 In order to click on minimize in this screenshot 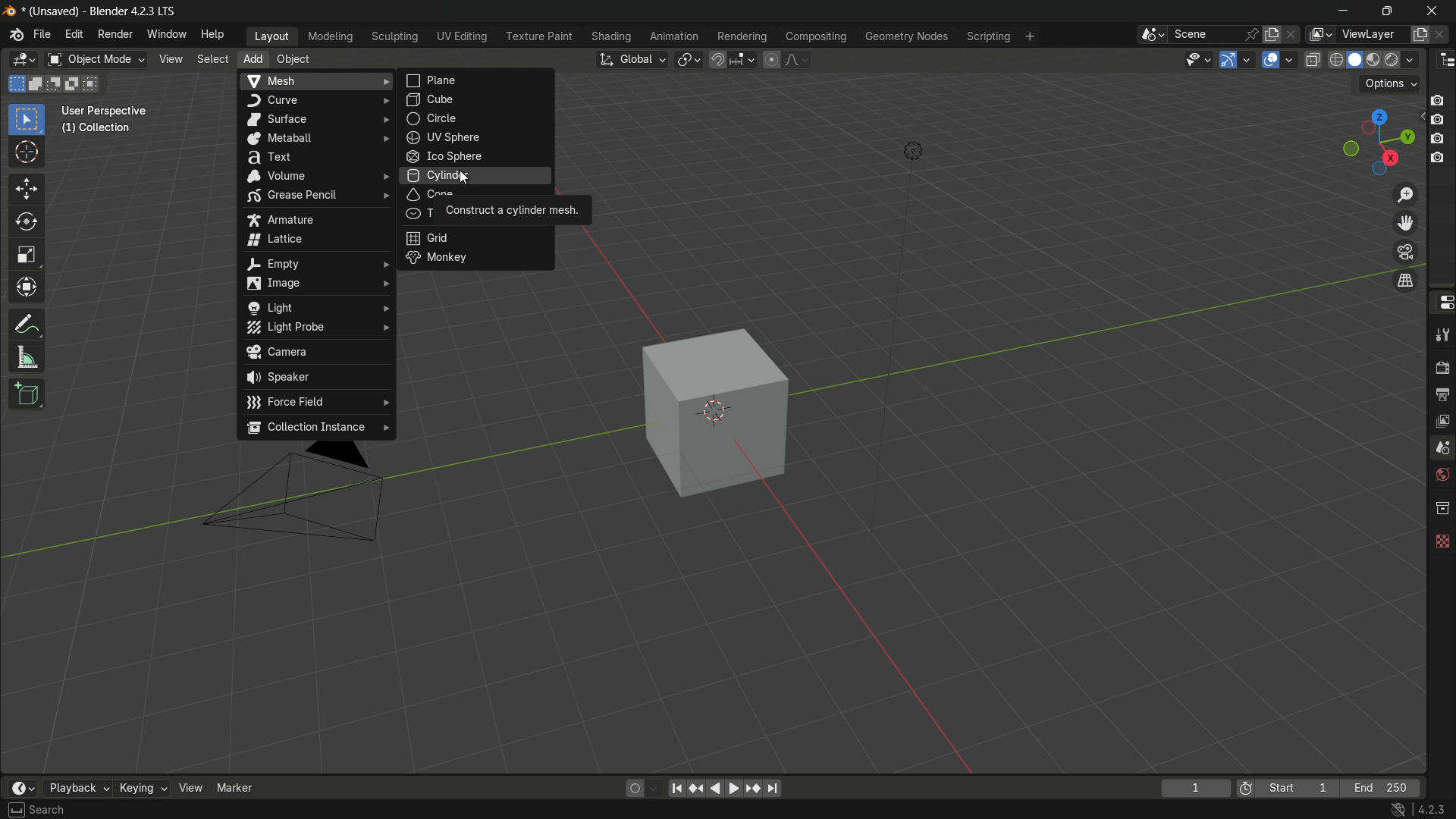, I will do `click(1344, 12)`.